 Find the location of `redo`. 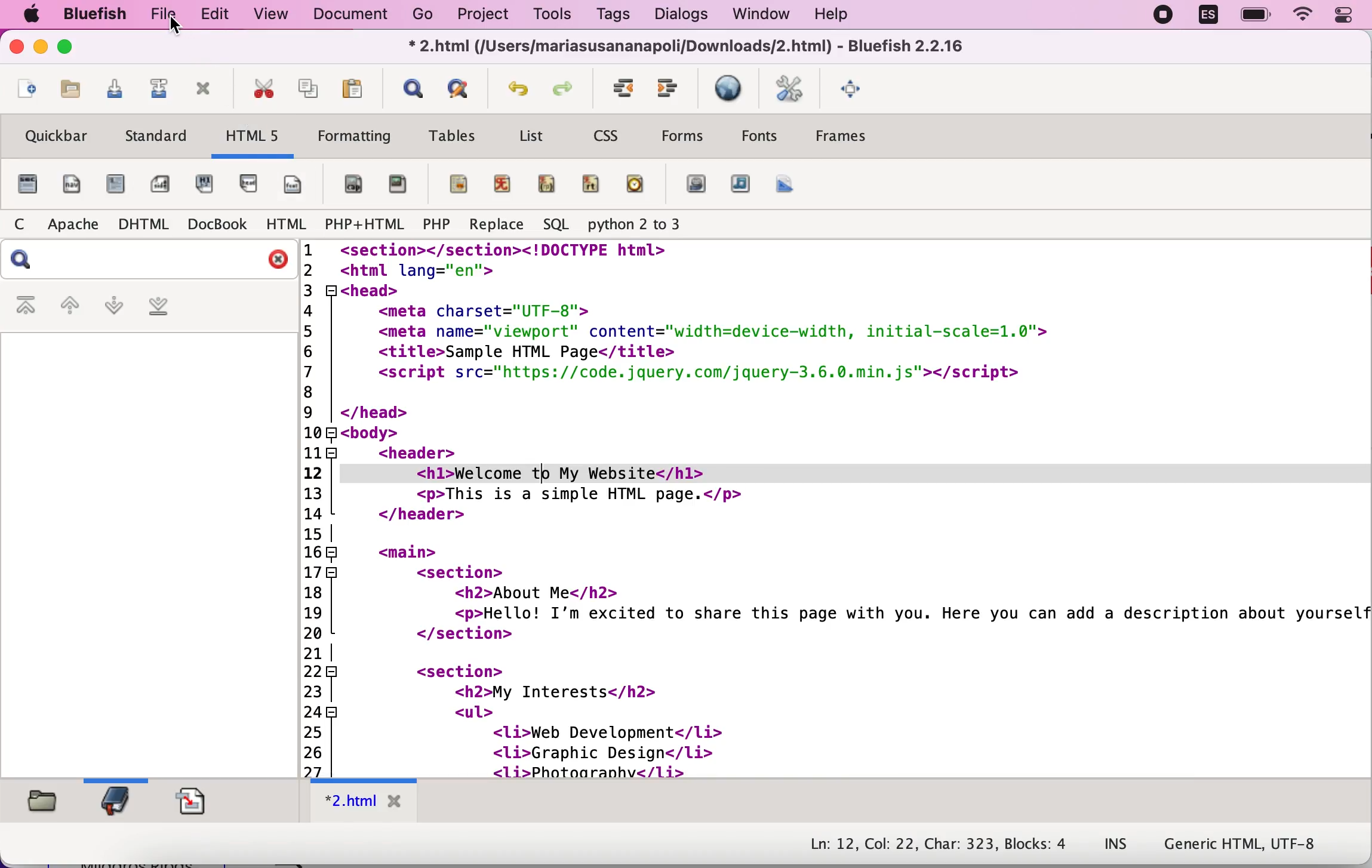

redo is located at coordinates (564, 87).